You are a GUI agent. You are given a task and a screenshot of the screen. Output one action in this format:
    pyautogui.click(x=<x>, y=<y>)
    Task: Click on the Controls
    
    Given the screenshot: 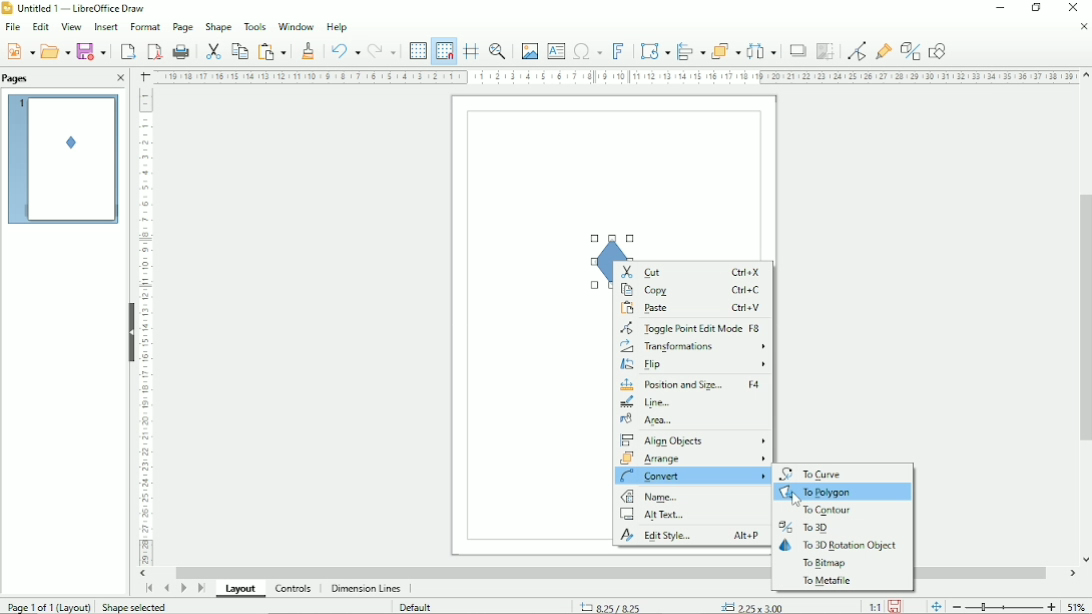 What is the action you would take?
    pyautogui.click(x=294, y=589)
    